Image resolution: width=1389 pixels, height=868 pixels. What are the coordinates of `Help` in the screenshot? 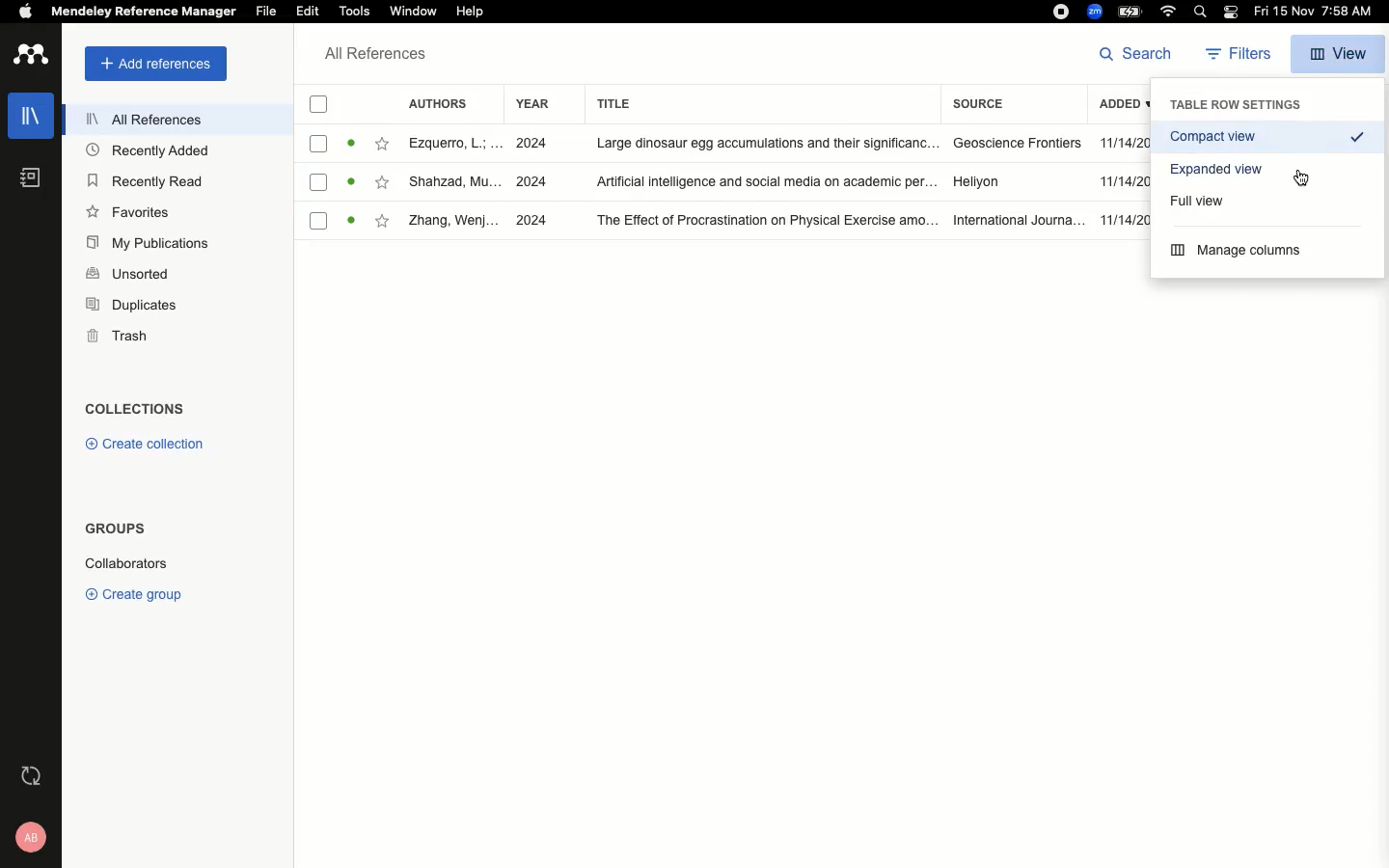 It's located at (471, 10).